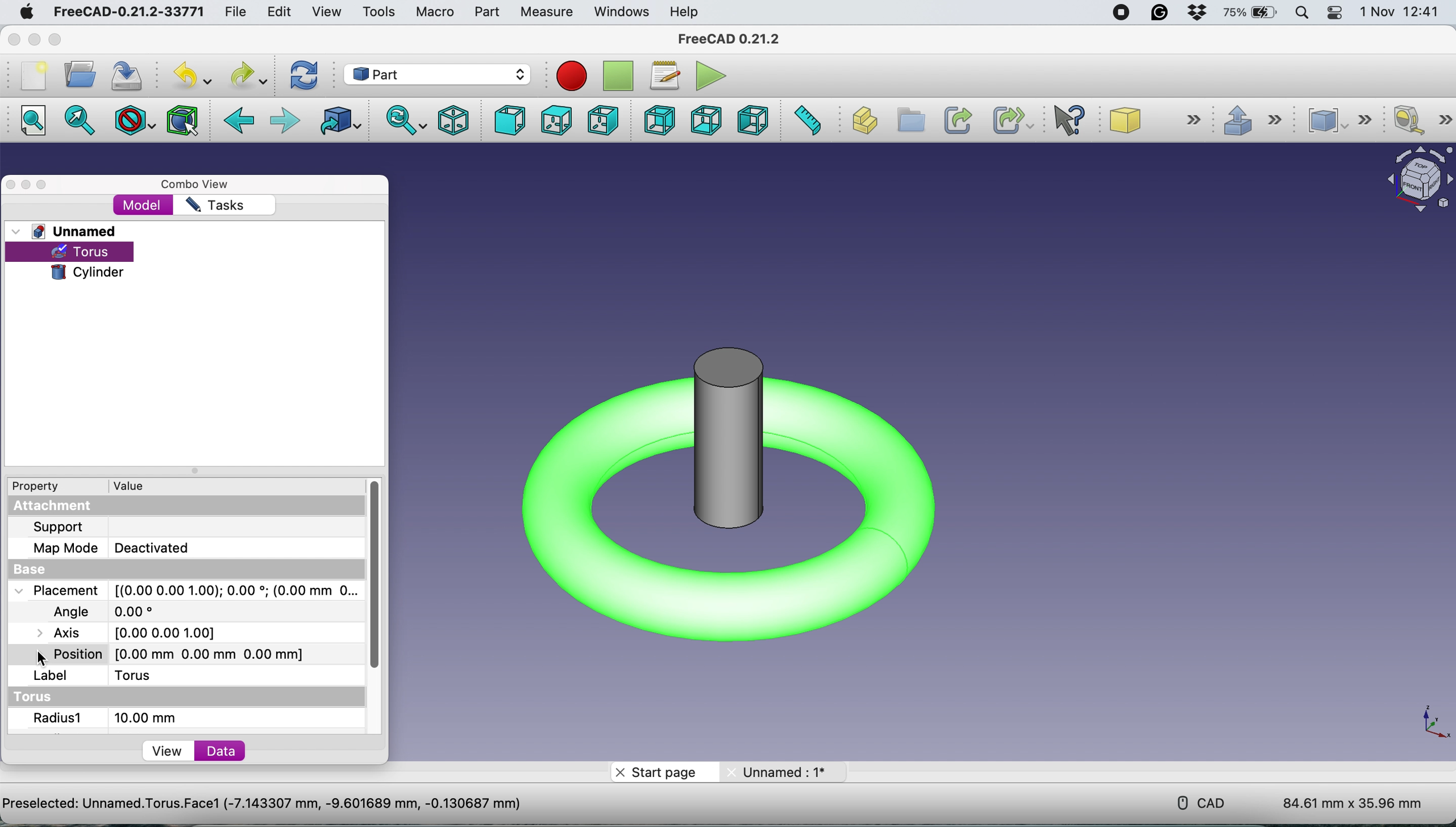  What do you see at coordinates (1353, 799) in the screenshot?
I see `dimensions` at bounding box center [1353, 799].